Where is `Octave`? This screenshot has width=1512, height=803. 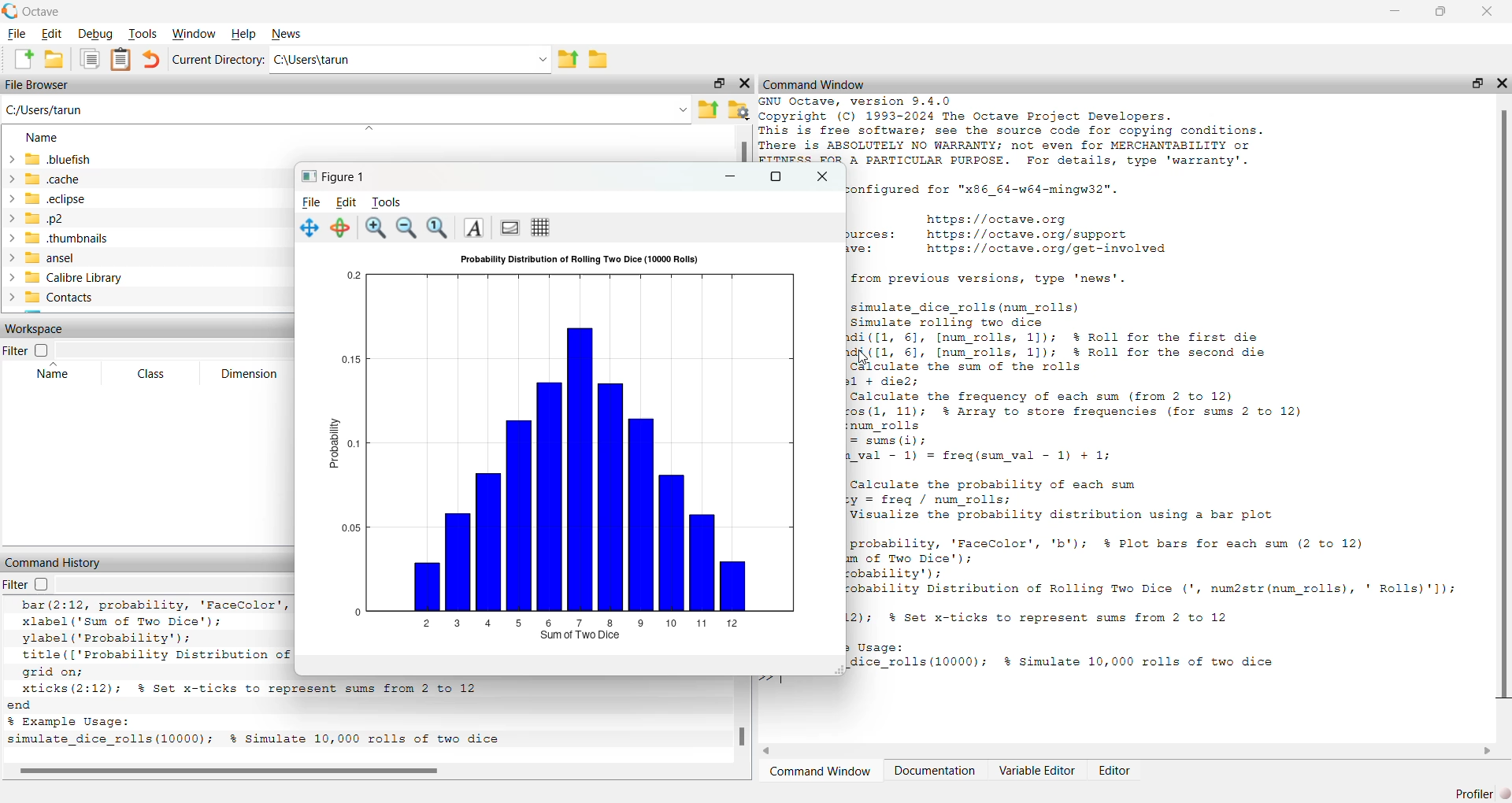 Octave is located at coordinates (36, 10).